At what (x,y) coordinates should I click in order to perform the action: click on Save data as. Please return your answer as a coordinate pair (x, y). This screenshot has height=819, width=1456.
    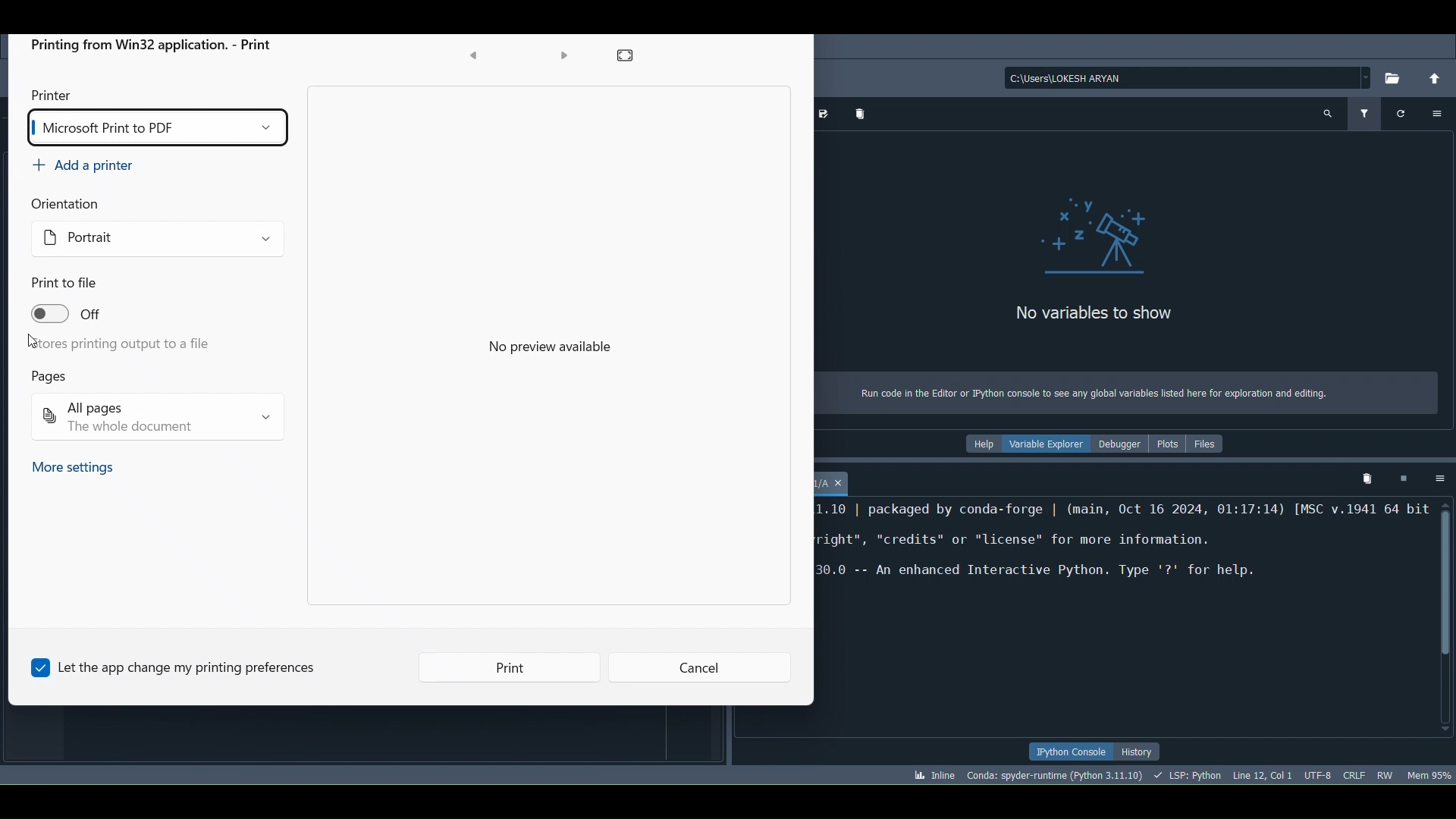
    Looking at the image, I should click on (827, 114).